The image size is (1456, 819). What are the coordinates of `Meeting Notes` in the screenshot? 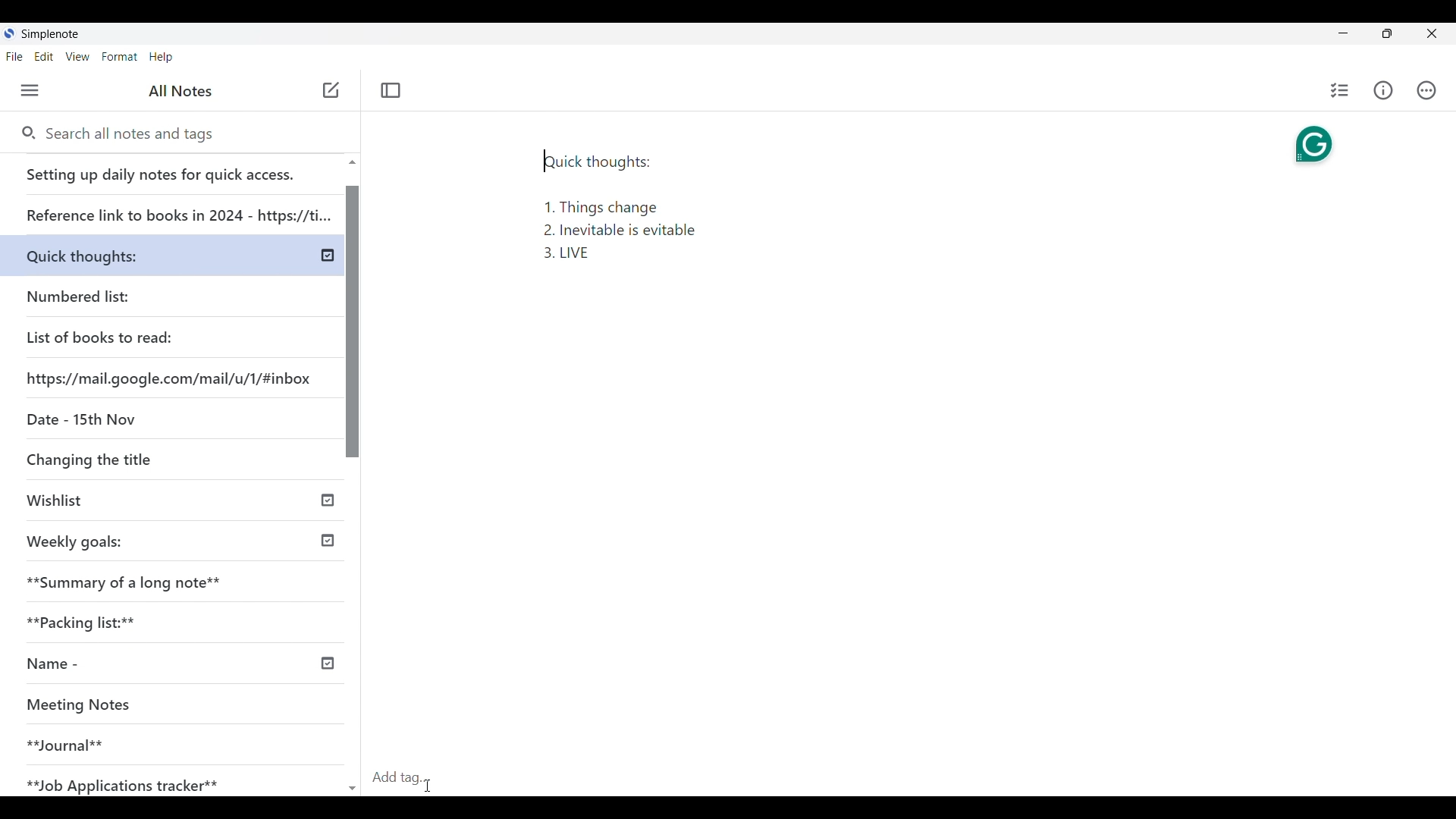 It's located at (153, 706).